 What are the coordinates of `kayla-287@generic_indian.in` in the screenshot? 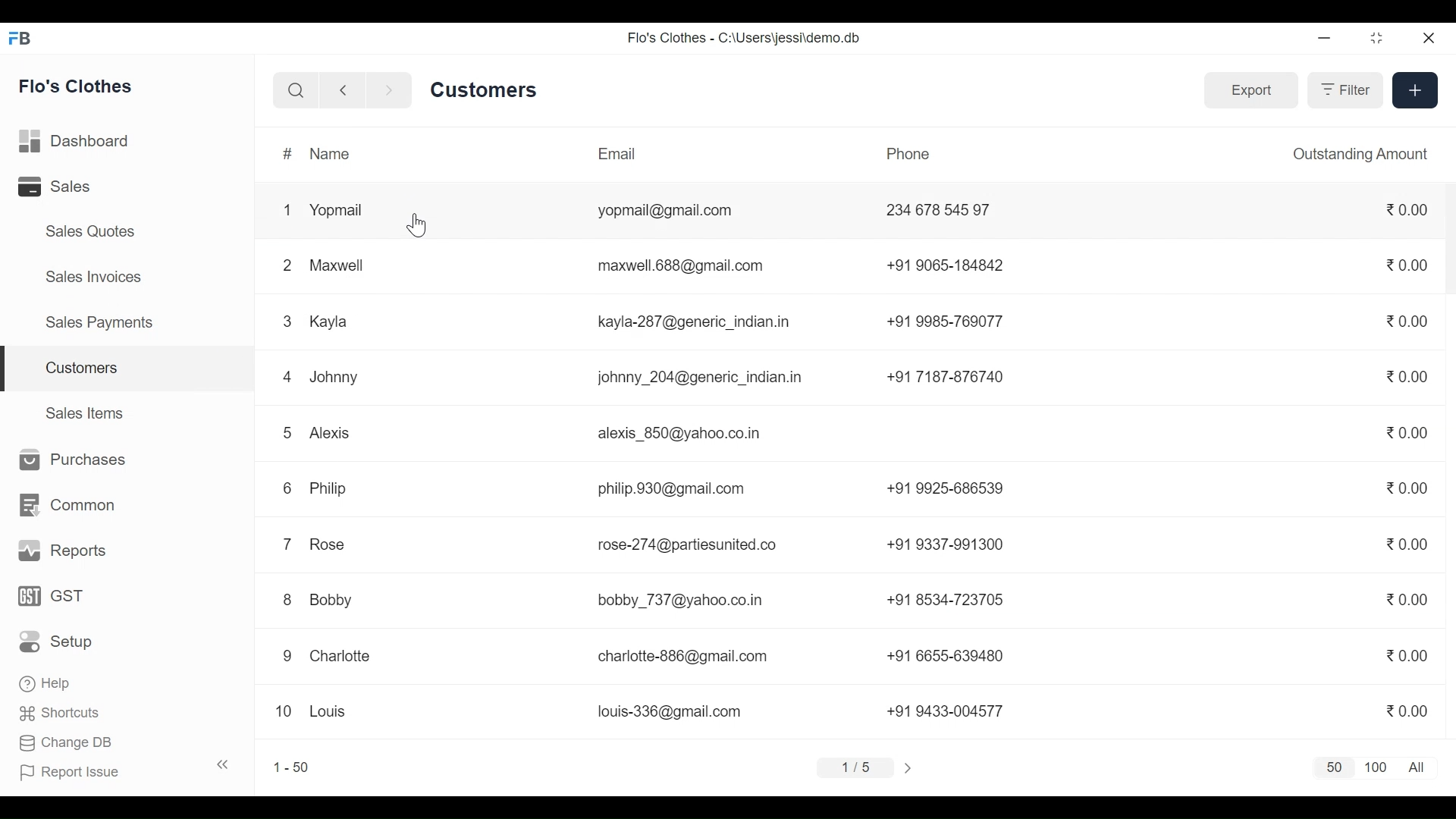 It's located at (701, 323).